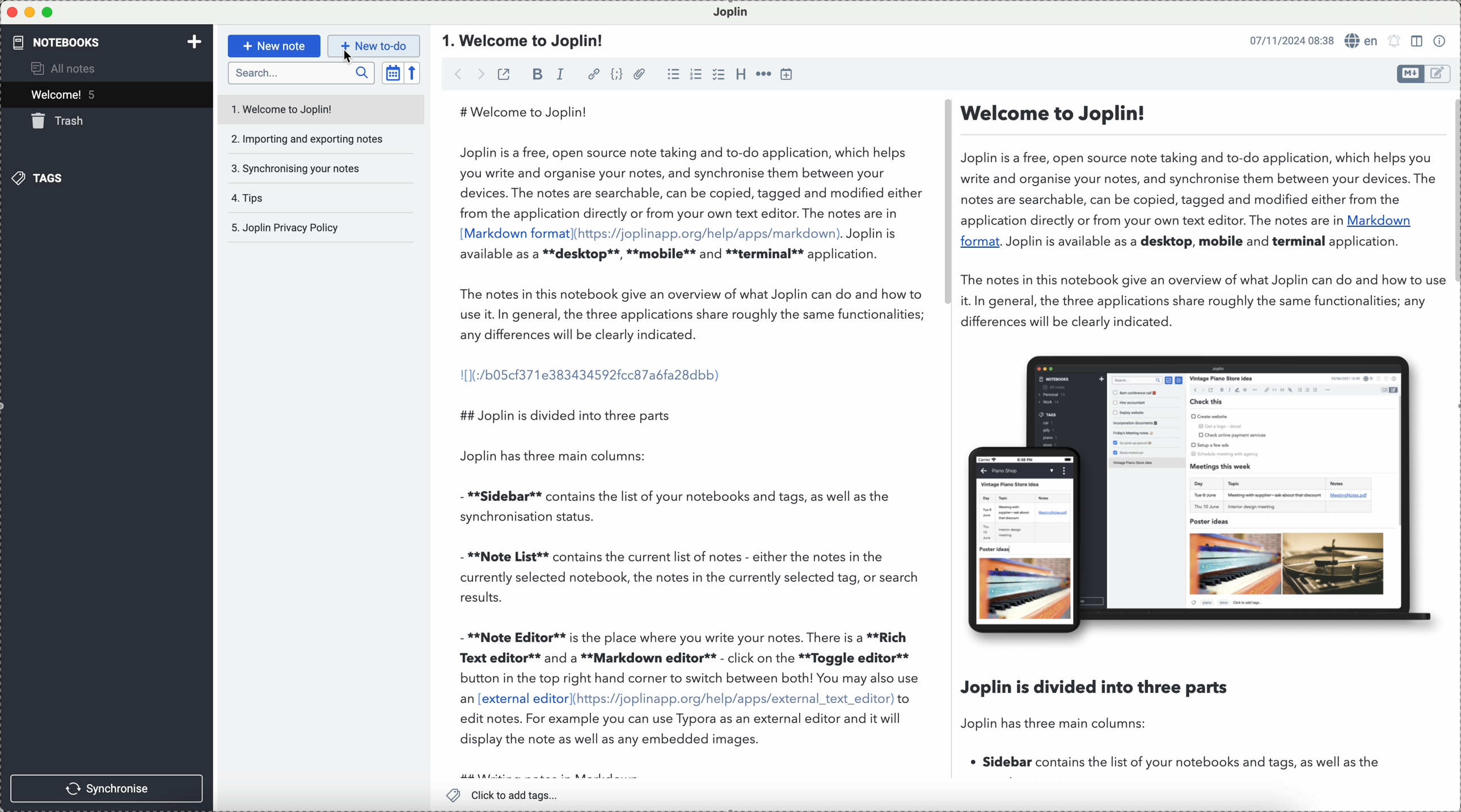 The height and width of the screenshot is (812, 1461). I want to click on tags, so click(37, 178).